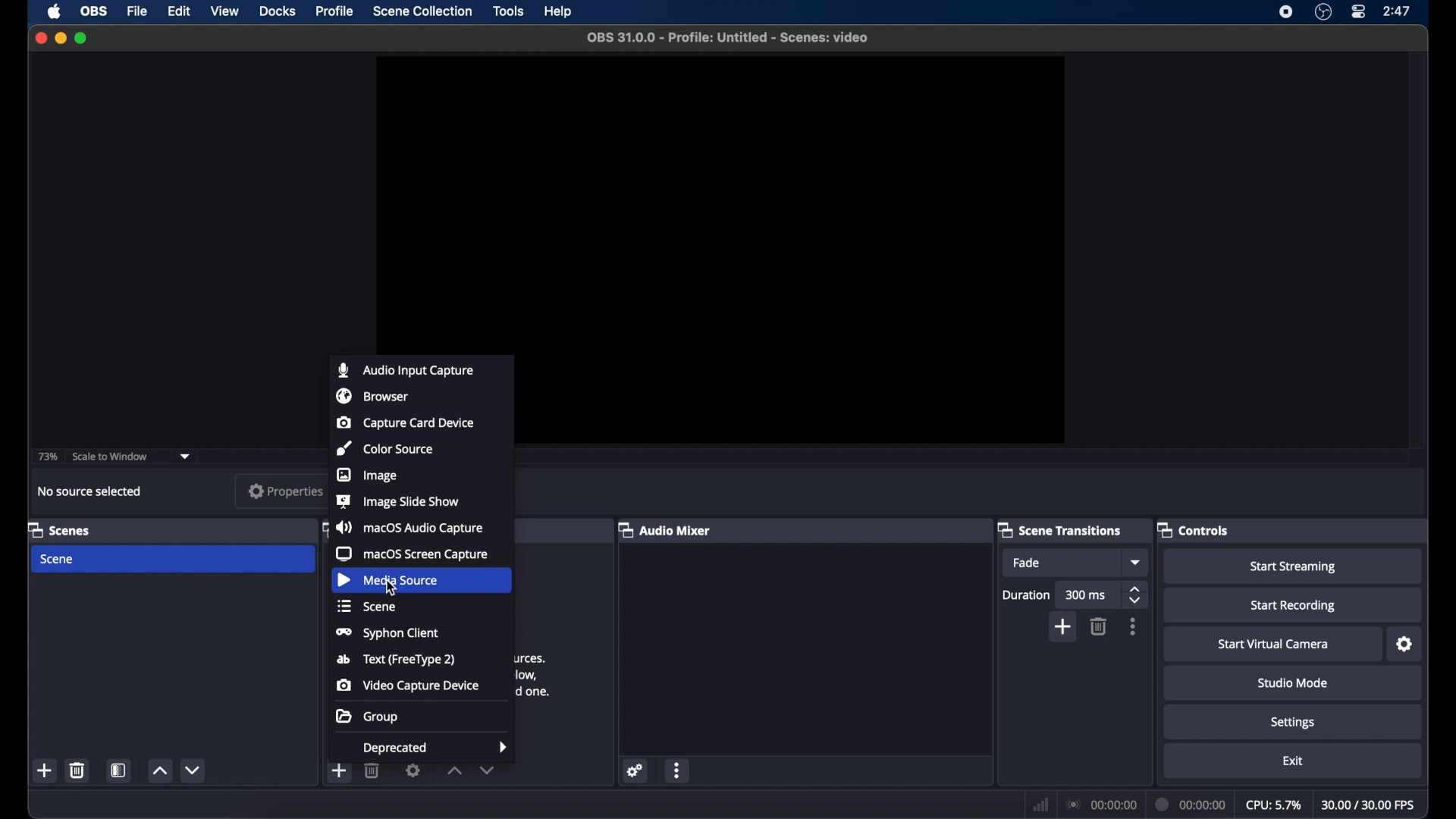 The image size is (1456, 819). I want to click on deprecated, so click(436, 749).